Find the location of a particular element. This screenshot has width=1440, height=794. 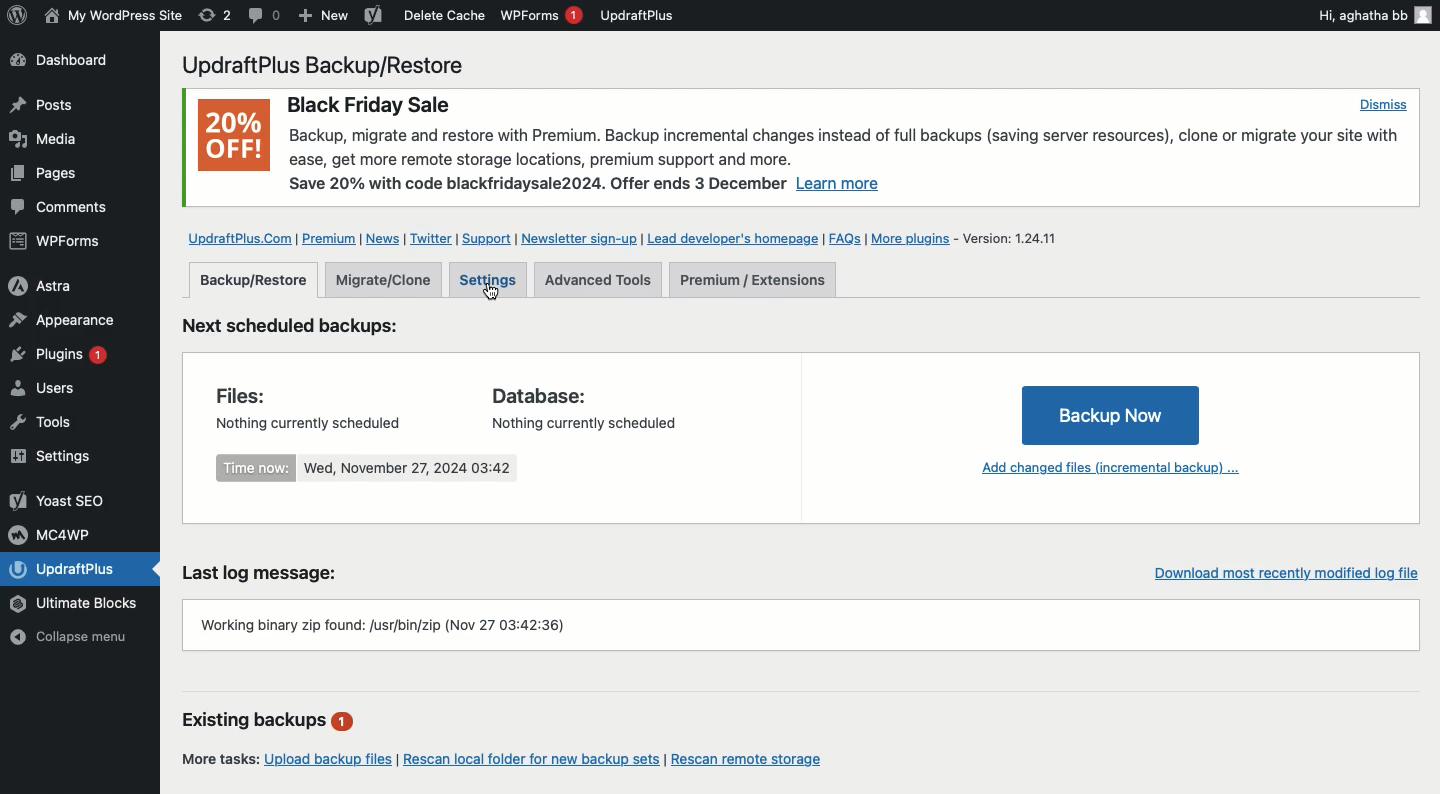

More plugins is located at coordinates (915, 239).